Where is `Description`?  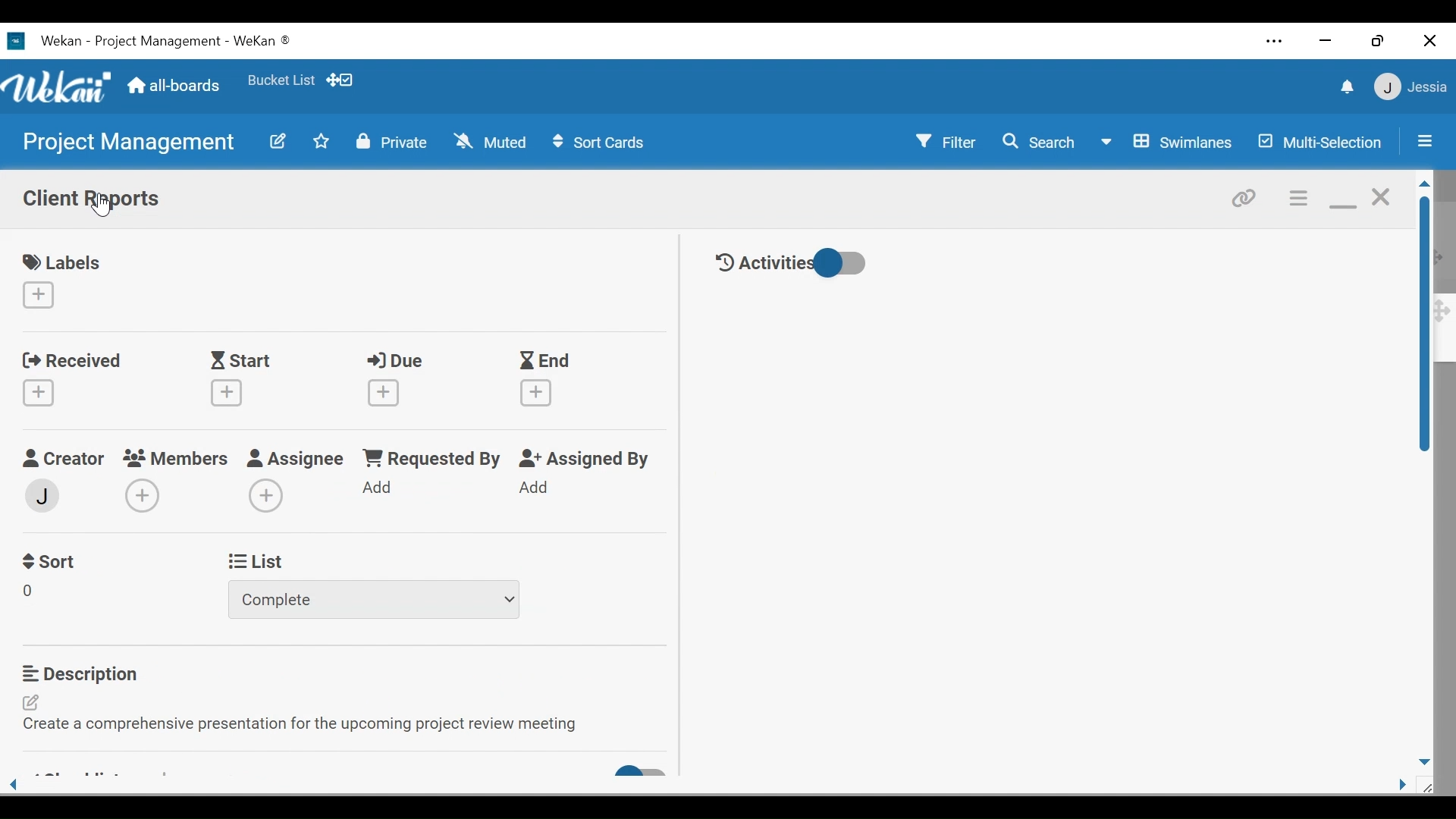
Description is located at coordinates (117, 674).